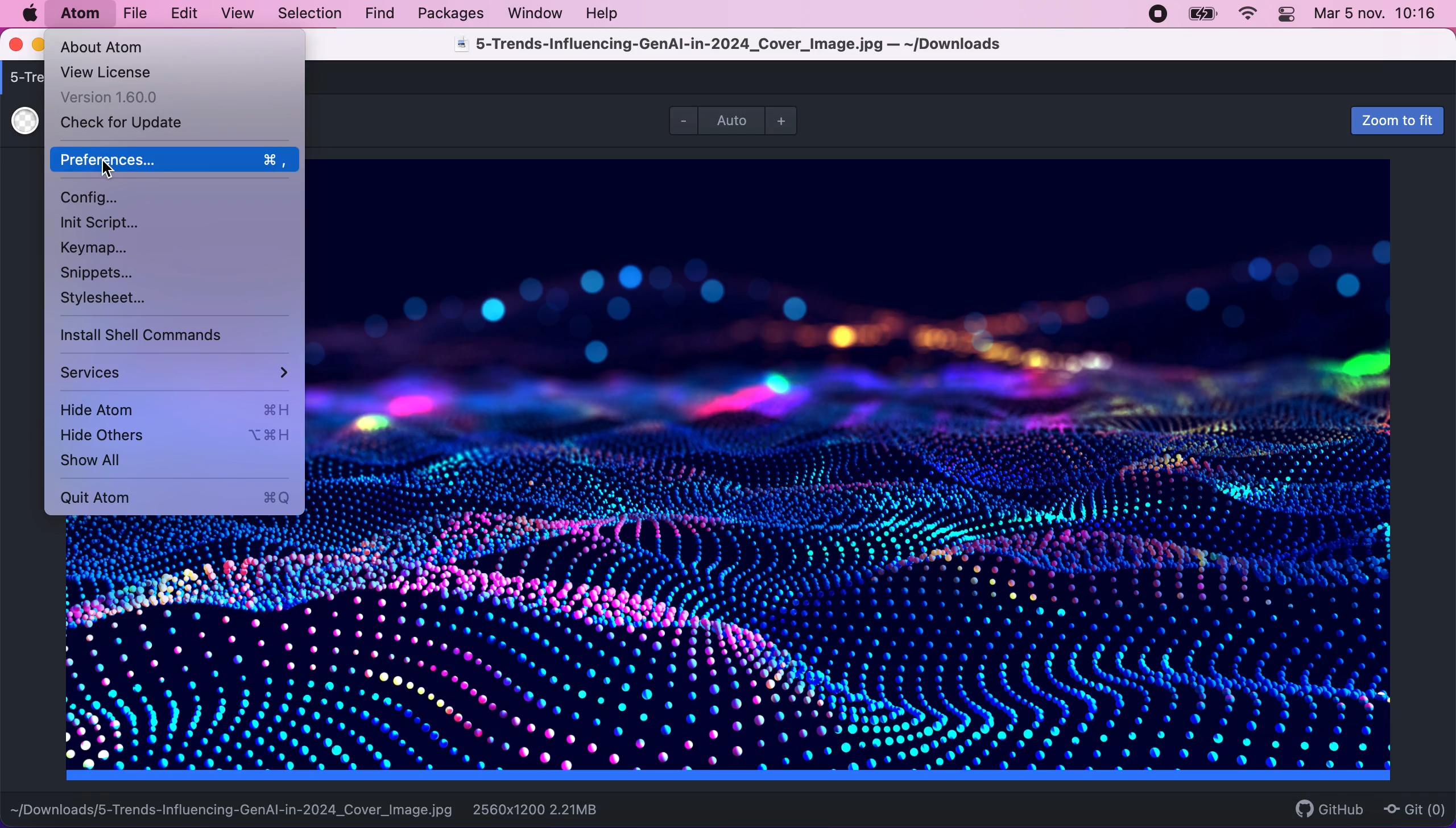 Image resolution: width=1456 pixels, height=828 pixels. What do you see at coordinates (1246, 14) in the screenshot?
I see `wifi` at bounding box center [1246, 14].